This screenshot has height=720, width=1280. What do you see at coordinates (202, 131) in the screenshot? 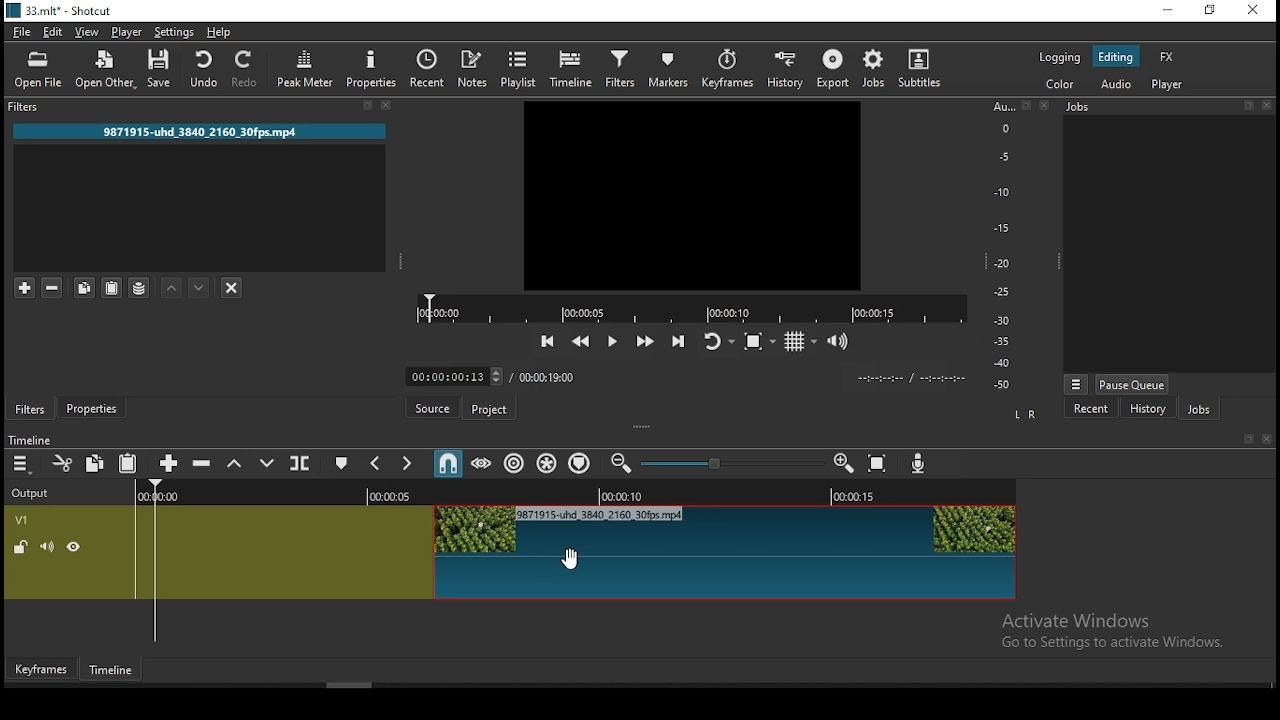
I see `9871915-uhd 3840 2160_30fps.mp4` at bounding box center [202, 131].